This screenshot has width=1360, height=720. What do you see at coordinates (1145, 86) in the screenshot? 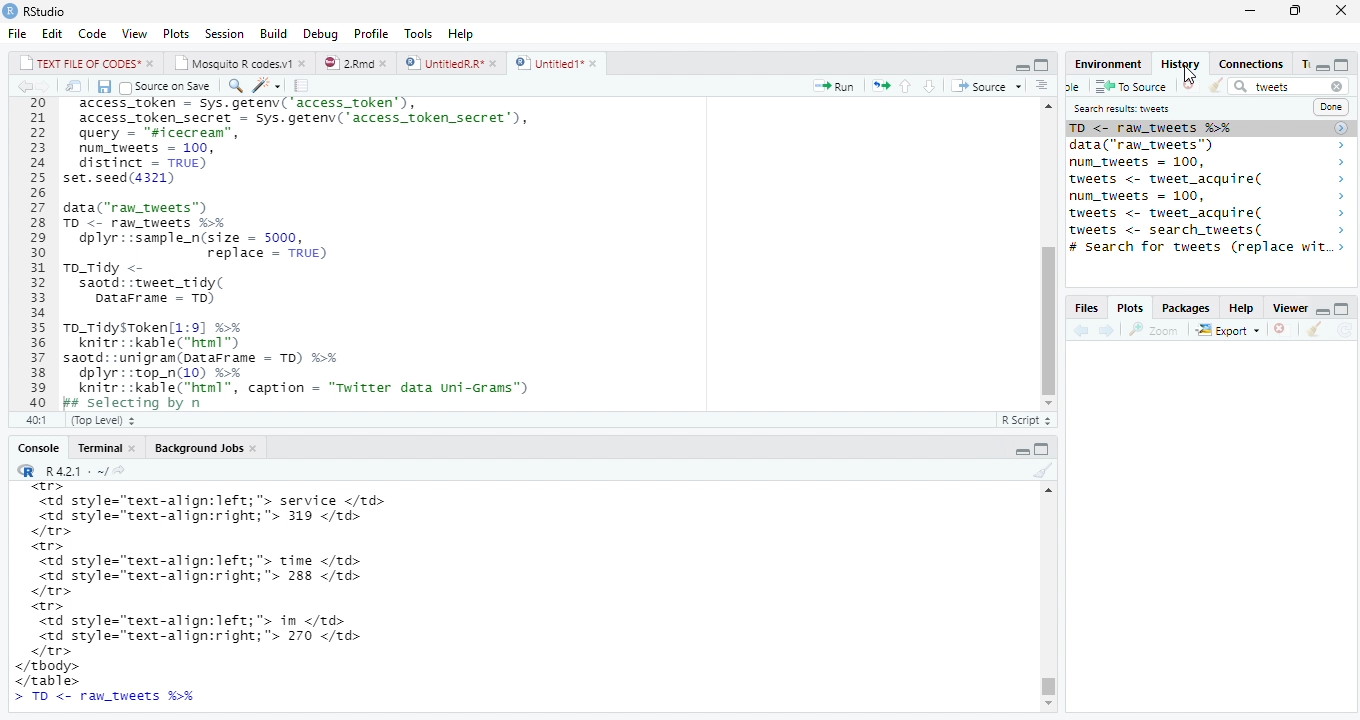
I see `To source` at bounding box center [1145, 86].